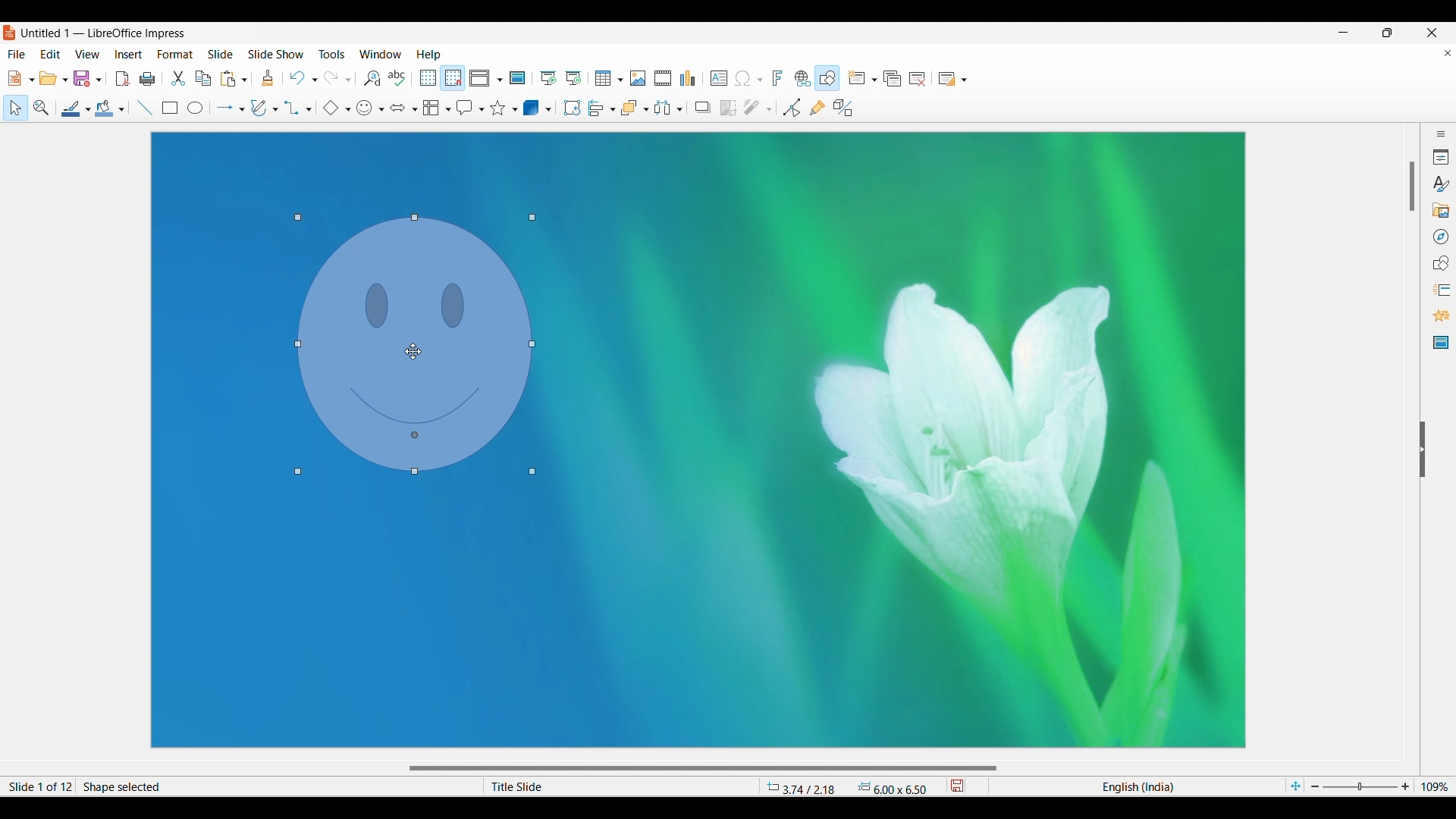 The width and height of the screenshot is (1456, 819). I want to click on 109%, so click(1435, 786).